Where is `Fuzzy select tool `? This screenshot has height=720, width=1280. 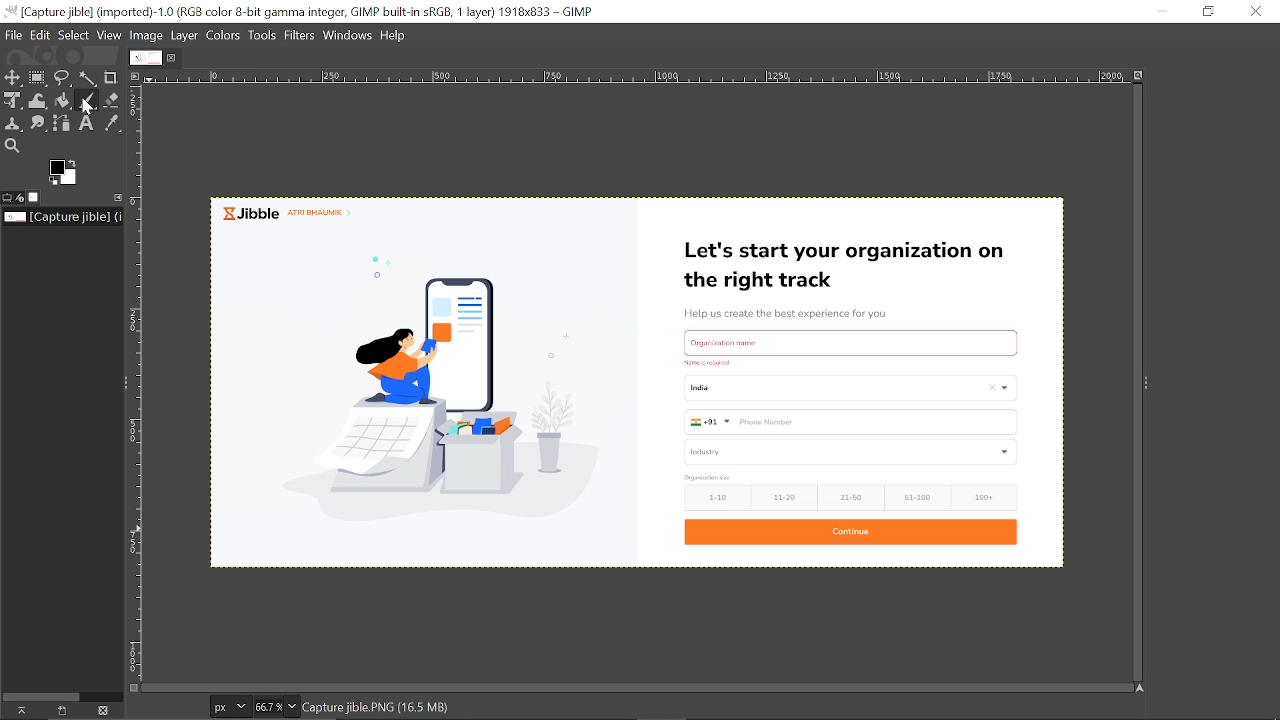
Fuzzy select tool  is located at coordinates (88, 80).